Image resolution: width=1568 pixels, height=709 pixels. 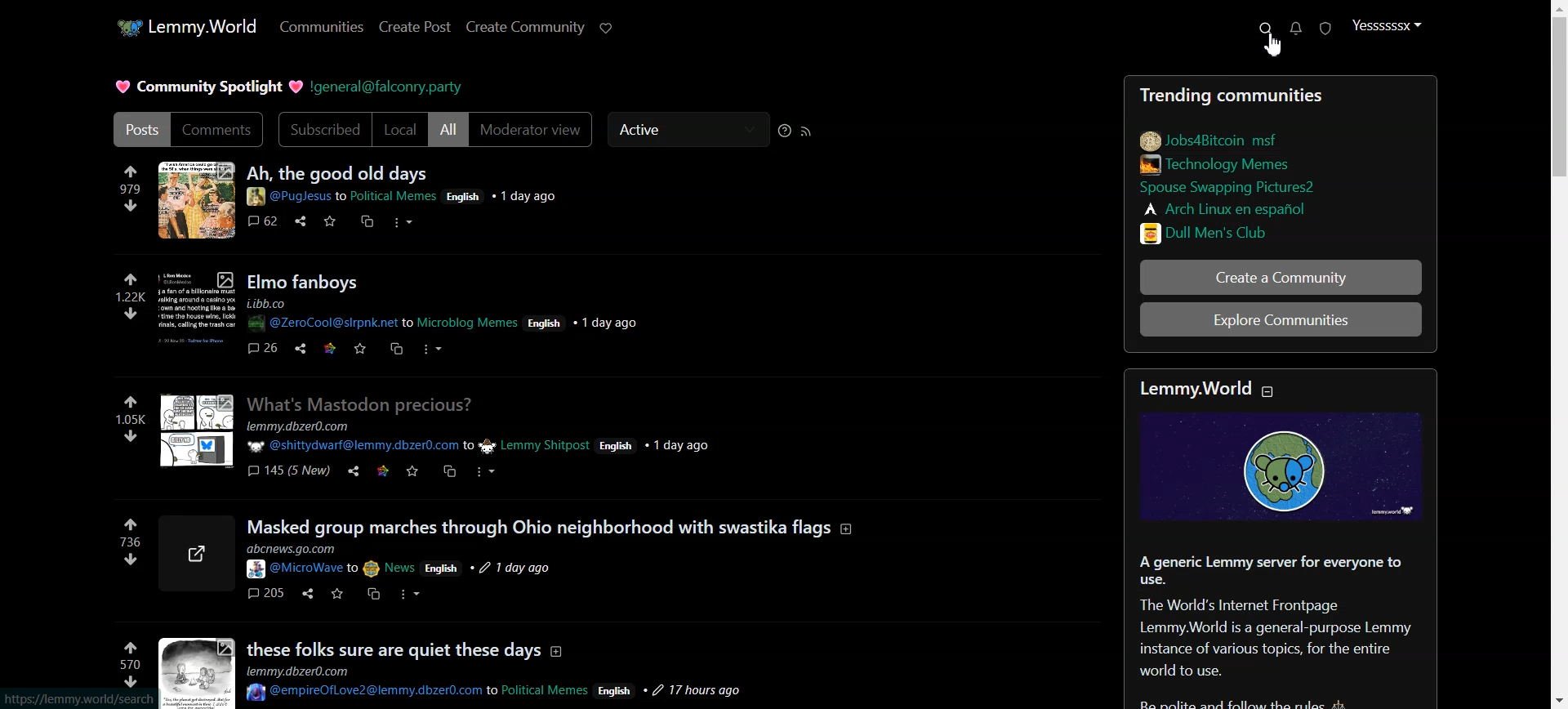 What do you see at coordinates (1281, 92) in the screenshot?
I see `Posts` at bounding box center [1281, 92].